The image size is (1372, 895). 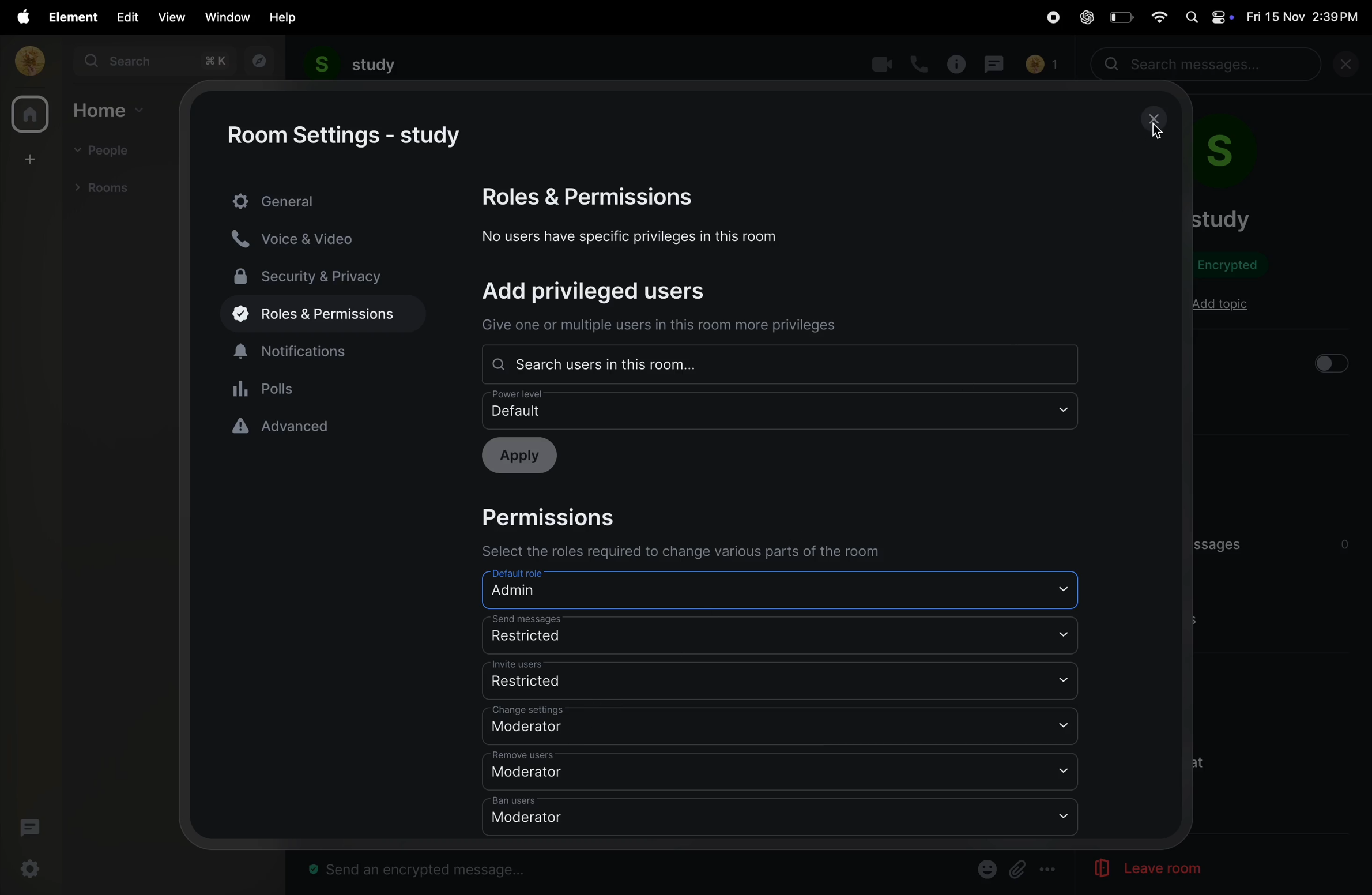 What do you see at coordinates (70, 16) in the screenshot?
I see `element menu` at bounding box center [70, 16].